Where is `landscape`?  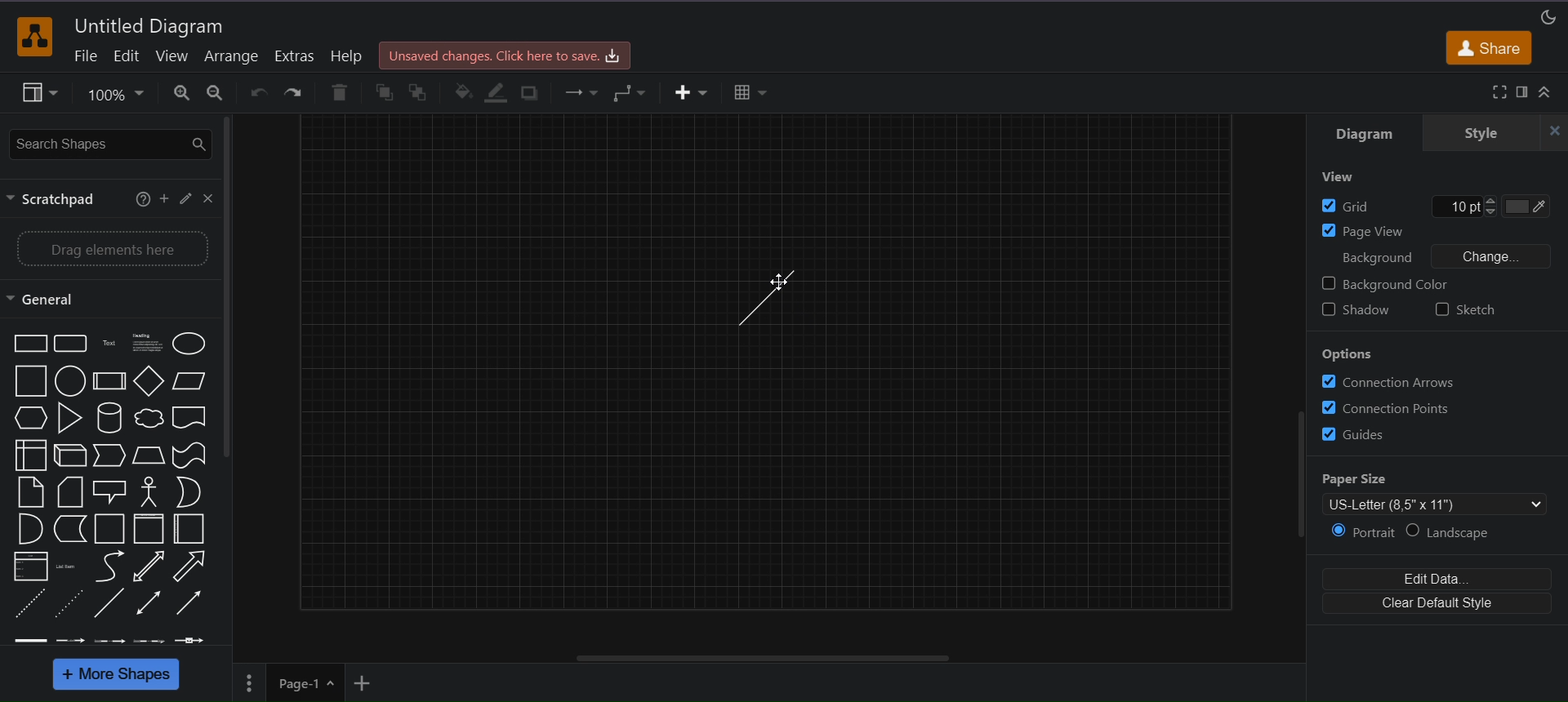 landscape is located at coordinates (1458, 533).